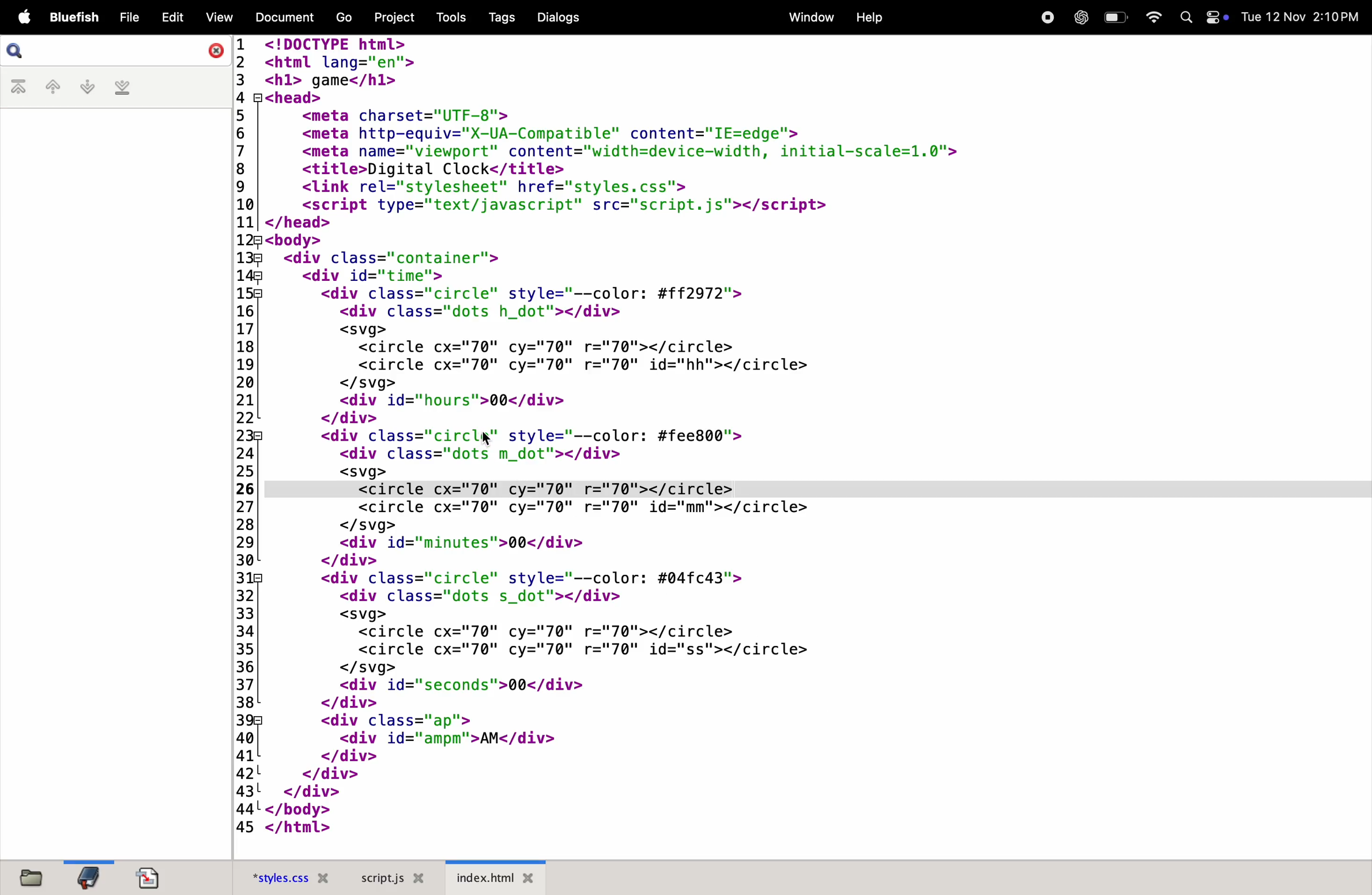  I want to click on go, so click(342, 17).